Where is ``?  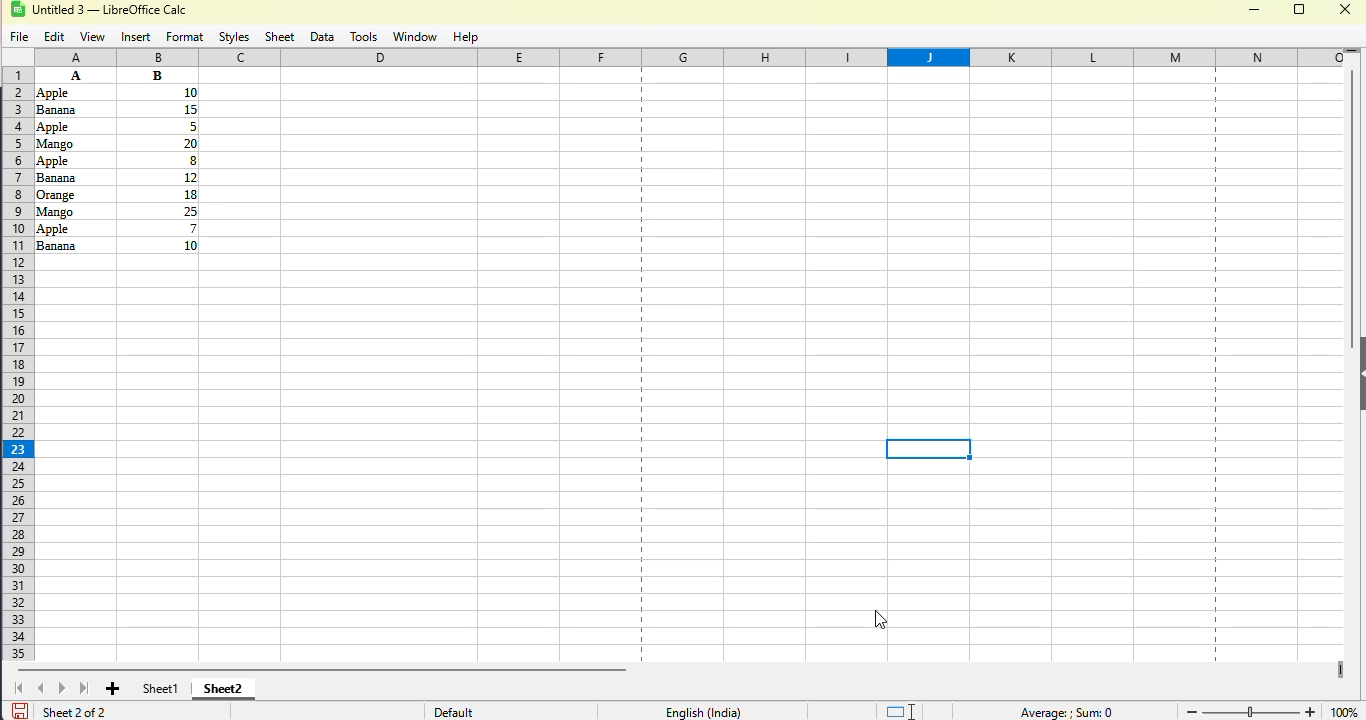  is located at coordinates (74, 245).